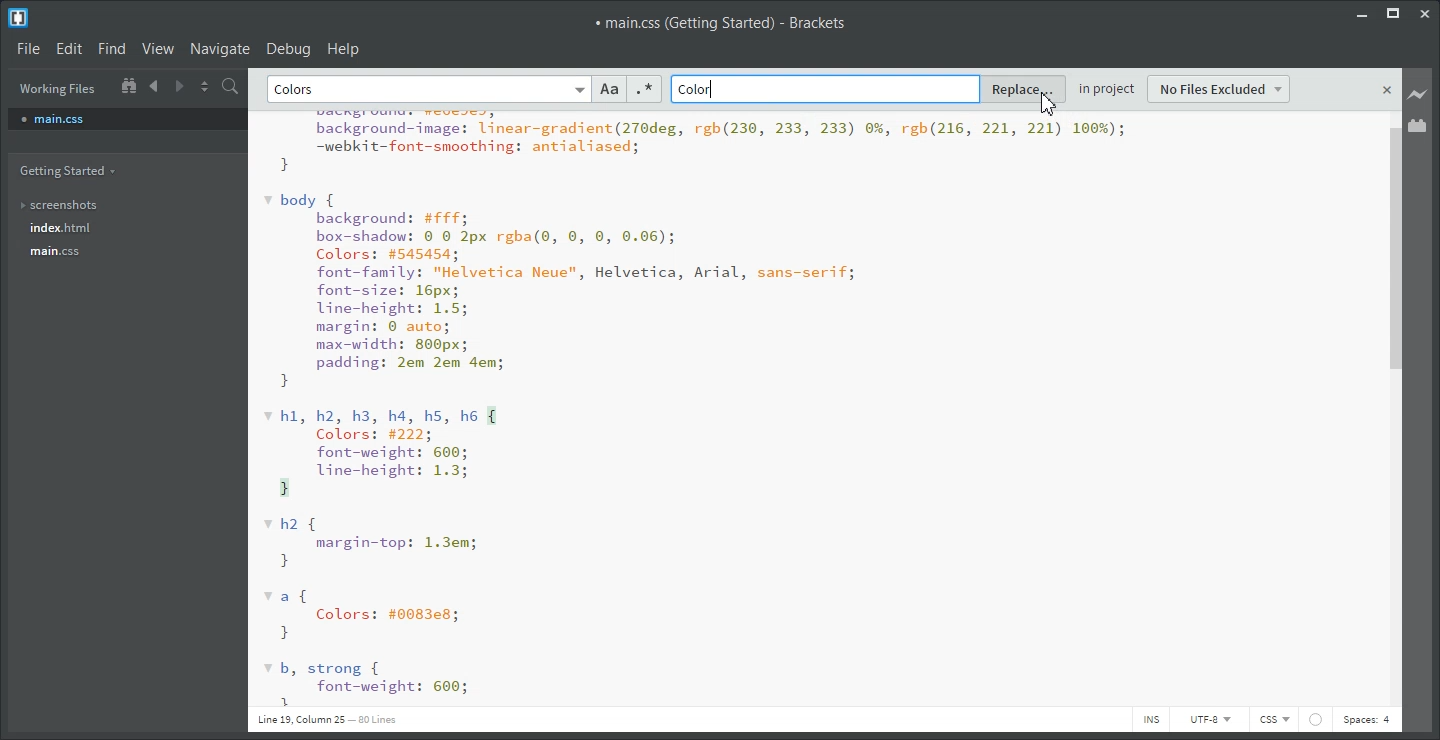 The image size is (1440, 740). What do you see at coordinates (1315, 719) in the screenshot?
I see `icon` at bounding box center [1315, 719].